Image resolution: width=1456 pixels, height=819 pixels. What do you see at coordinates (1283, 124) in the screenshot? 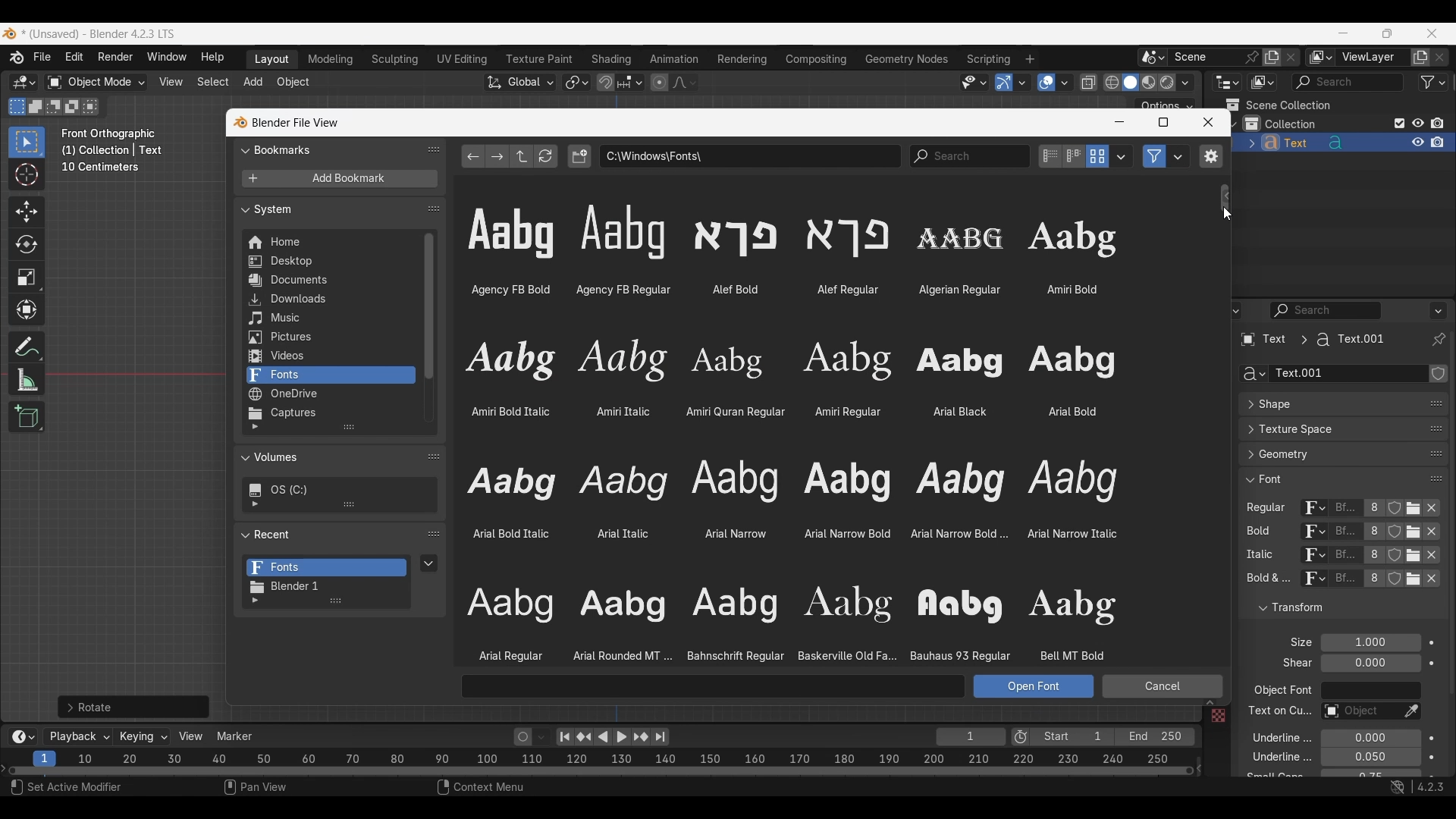
I see `Collection 1` at bounding box center [1283, 124].